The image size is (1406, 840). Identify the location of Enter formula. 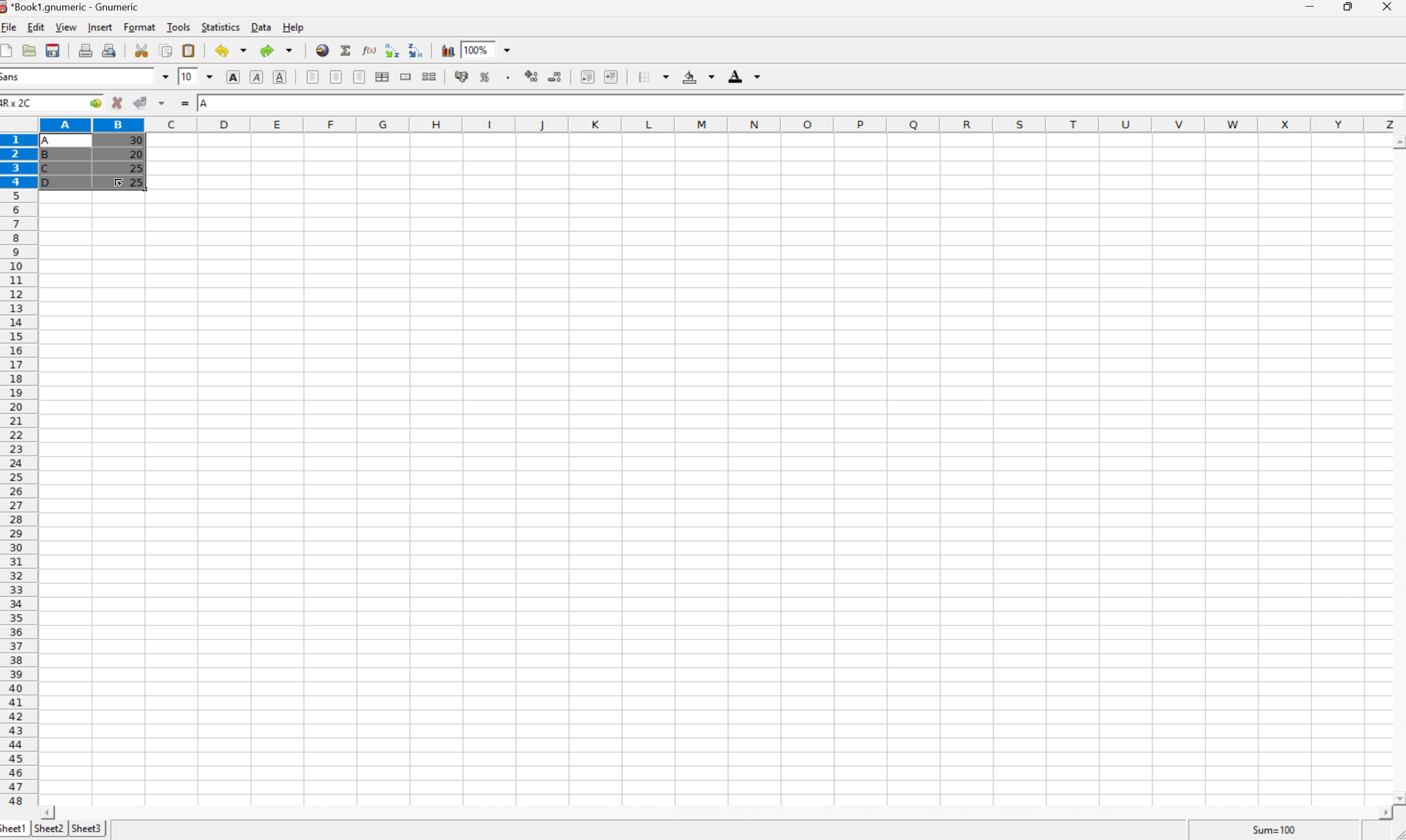
(185, 102).